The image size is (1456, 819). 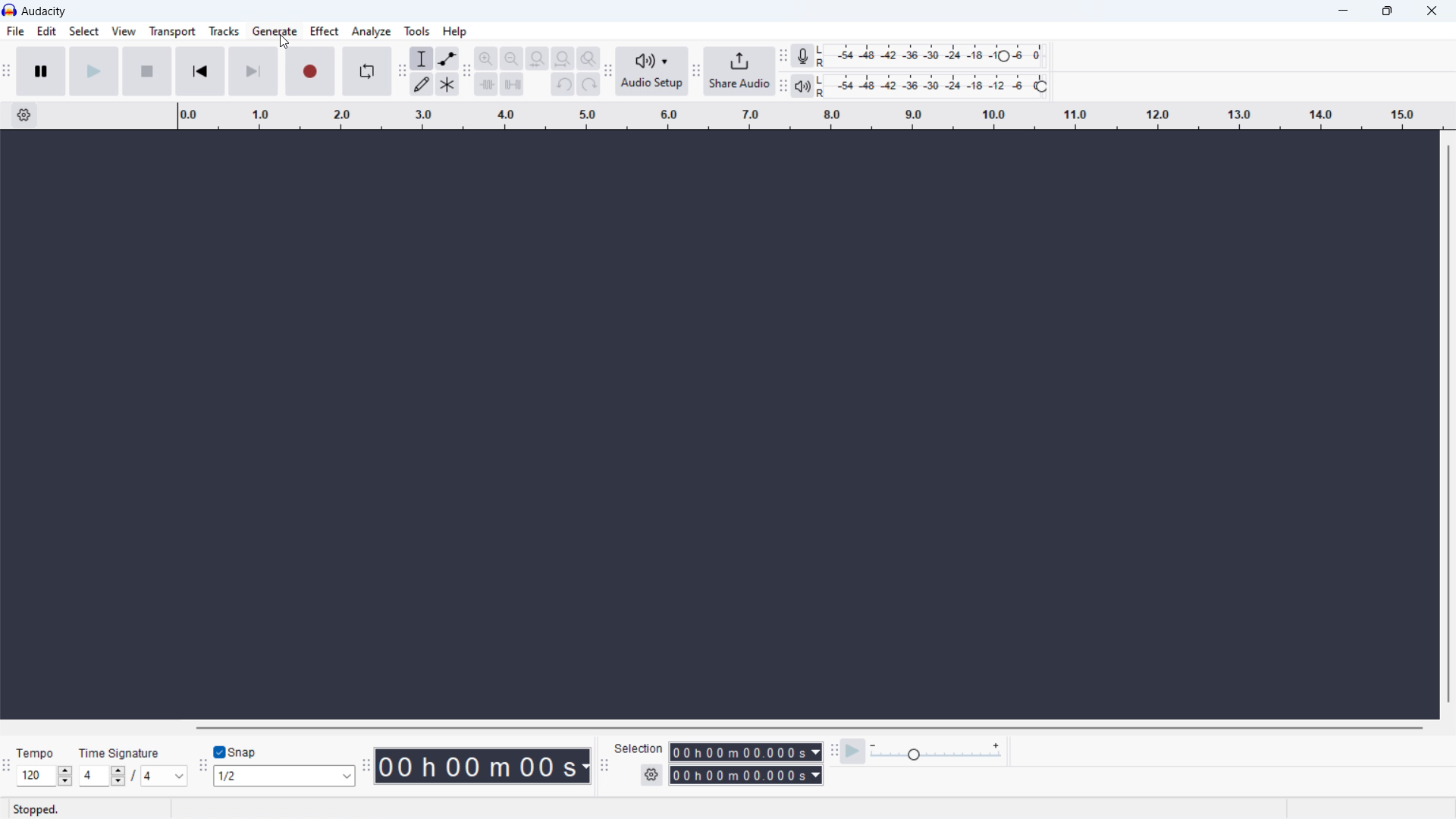 What do you see at coordinates (487, 58) in the screenshot?
I see `zoom in` at bounding box center [487, 58].